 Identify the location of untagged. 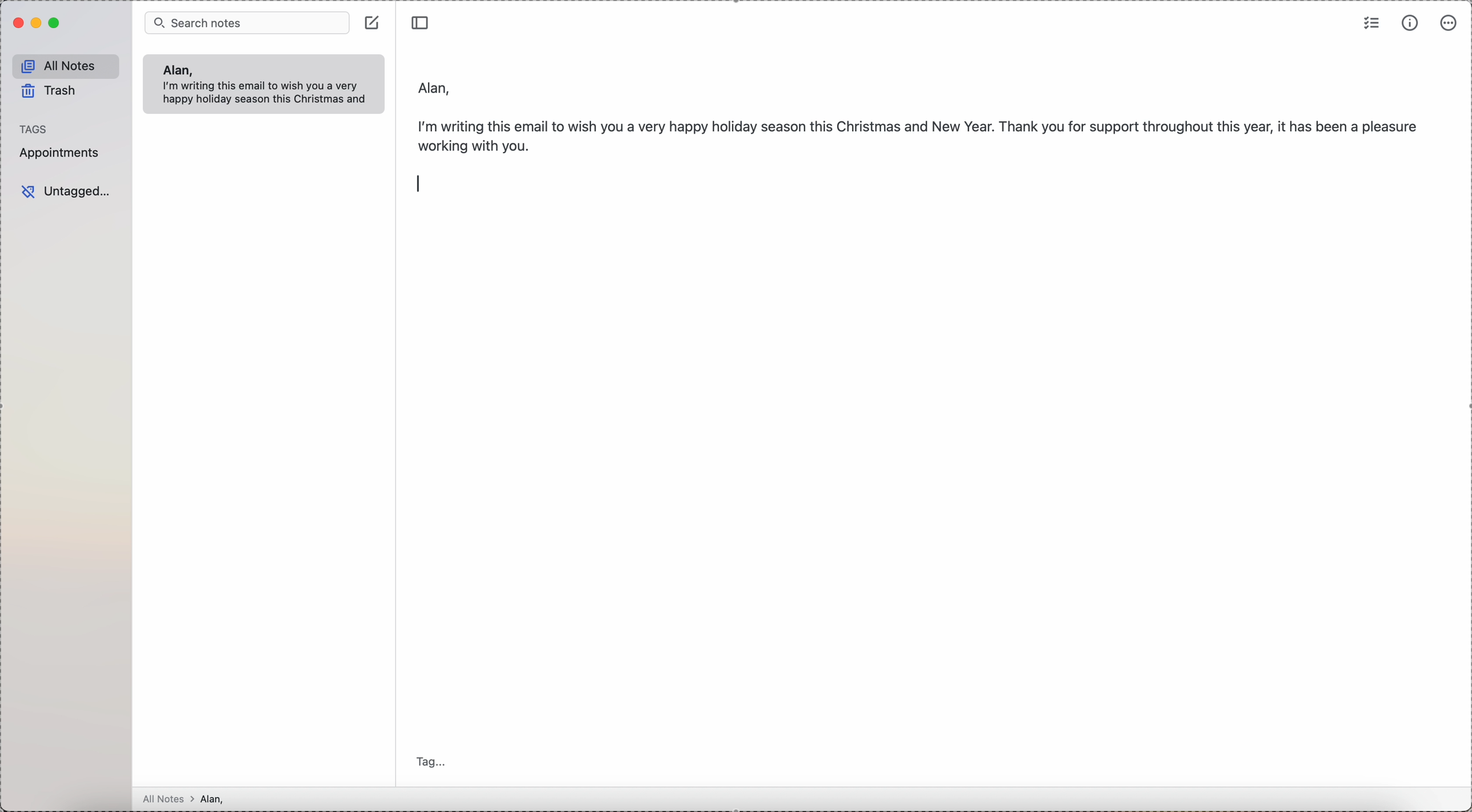
(66, 192).